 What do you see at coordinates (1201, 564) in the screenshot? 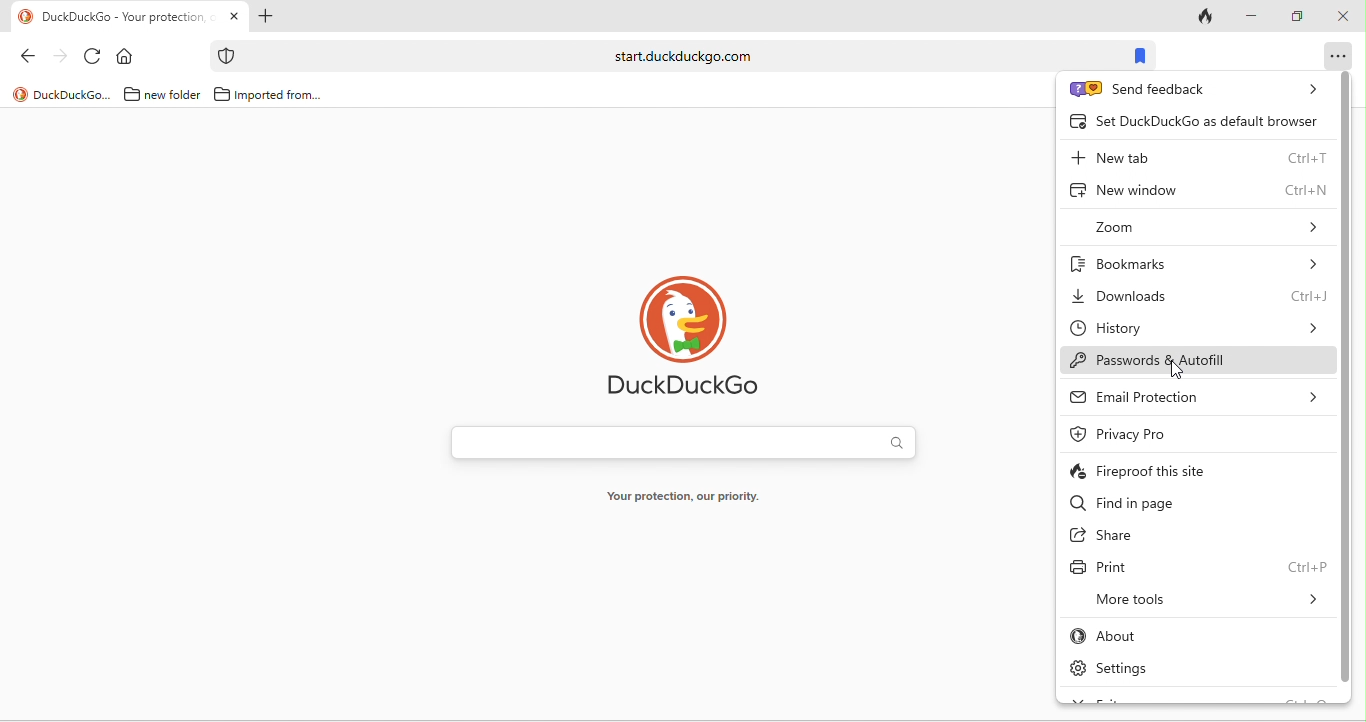
I see `print` at bounding box center [1201, 564].